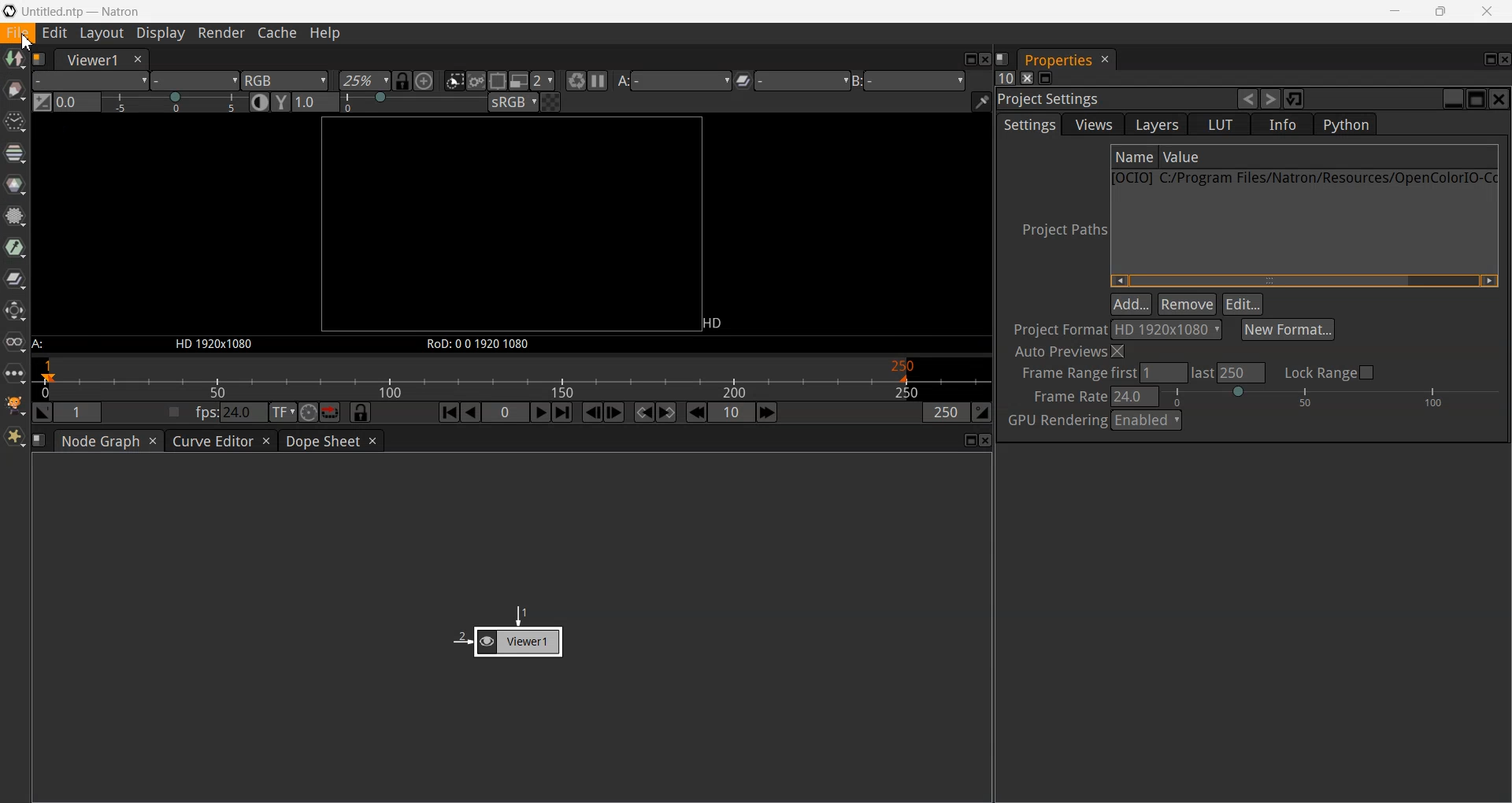 Image resolution: width=1512 pixels, height=803 pixels. Describe the element at coordinates (510, 234) in the screenshot. I see `Viewer panel` at that location.